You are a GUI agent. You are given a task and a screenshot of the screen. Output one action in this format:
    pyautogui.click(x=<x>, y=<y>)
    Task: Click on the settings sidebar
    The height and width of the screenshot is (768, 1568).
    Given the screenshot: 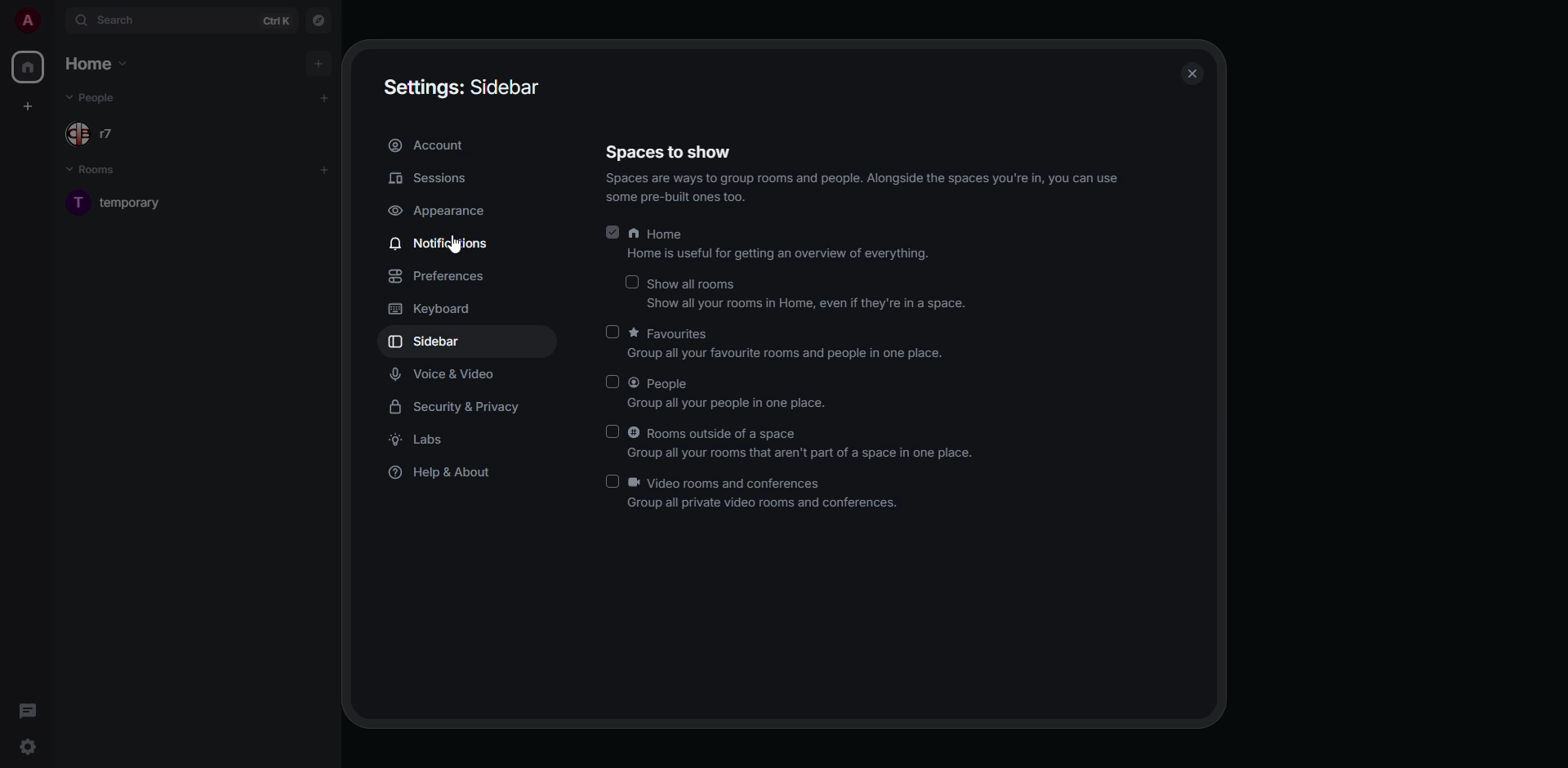 What is the action you would take?
    pyautogui.click(x=468, y=87)
    